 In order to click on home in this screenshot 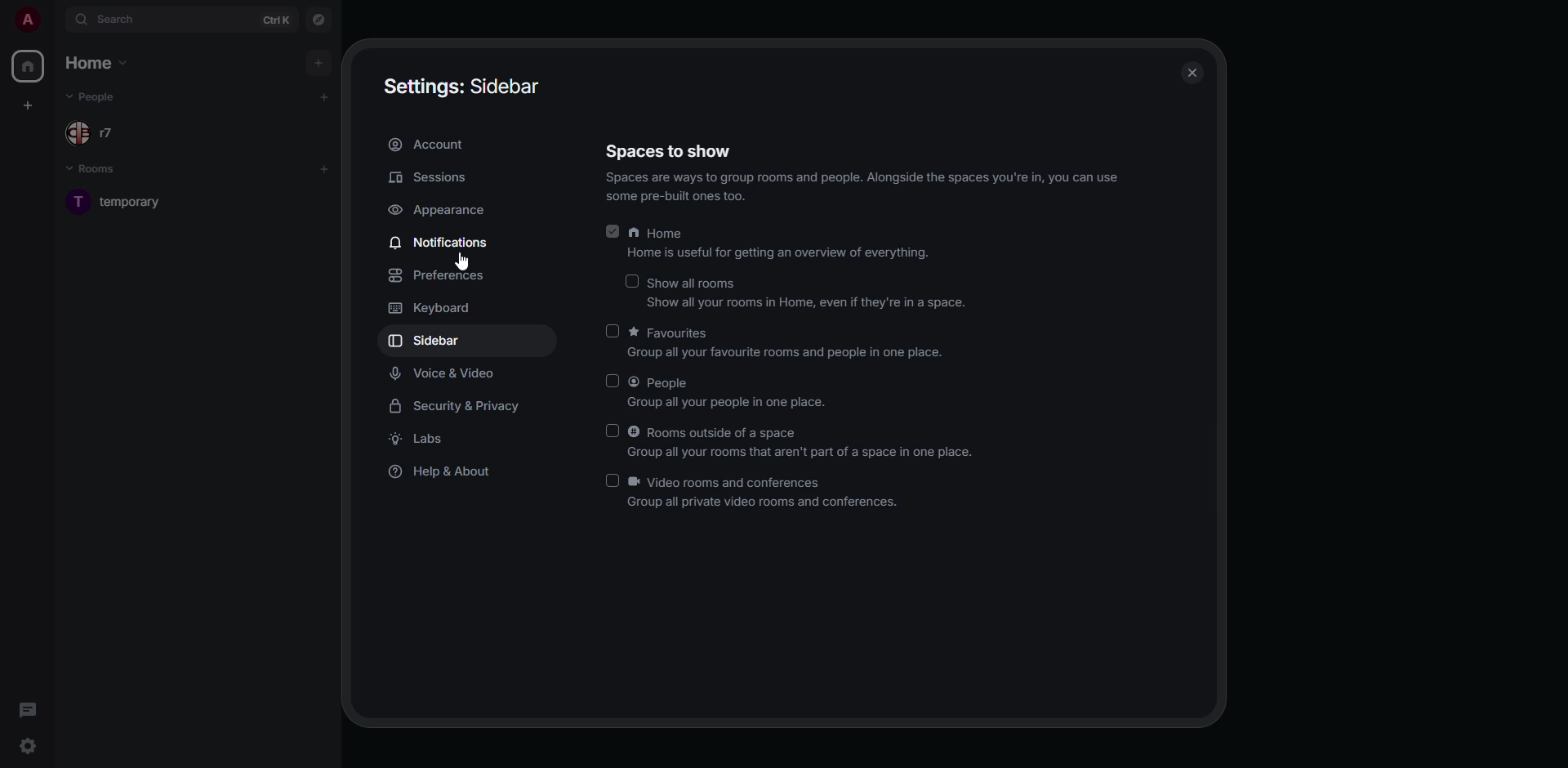, I will do `click(99, 61)`.